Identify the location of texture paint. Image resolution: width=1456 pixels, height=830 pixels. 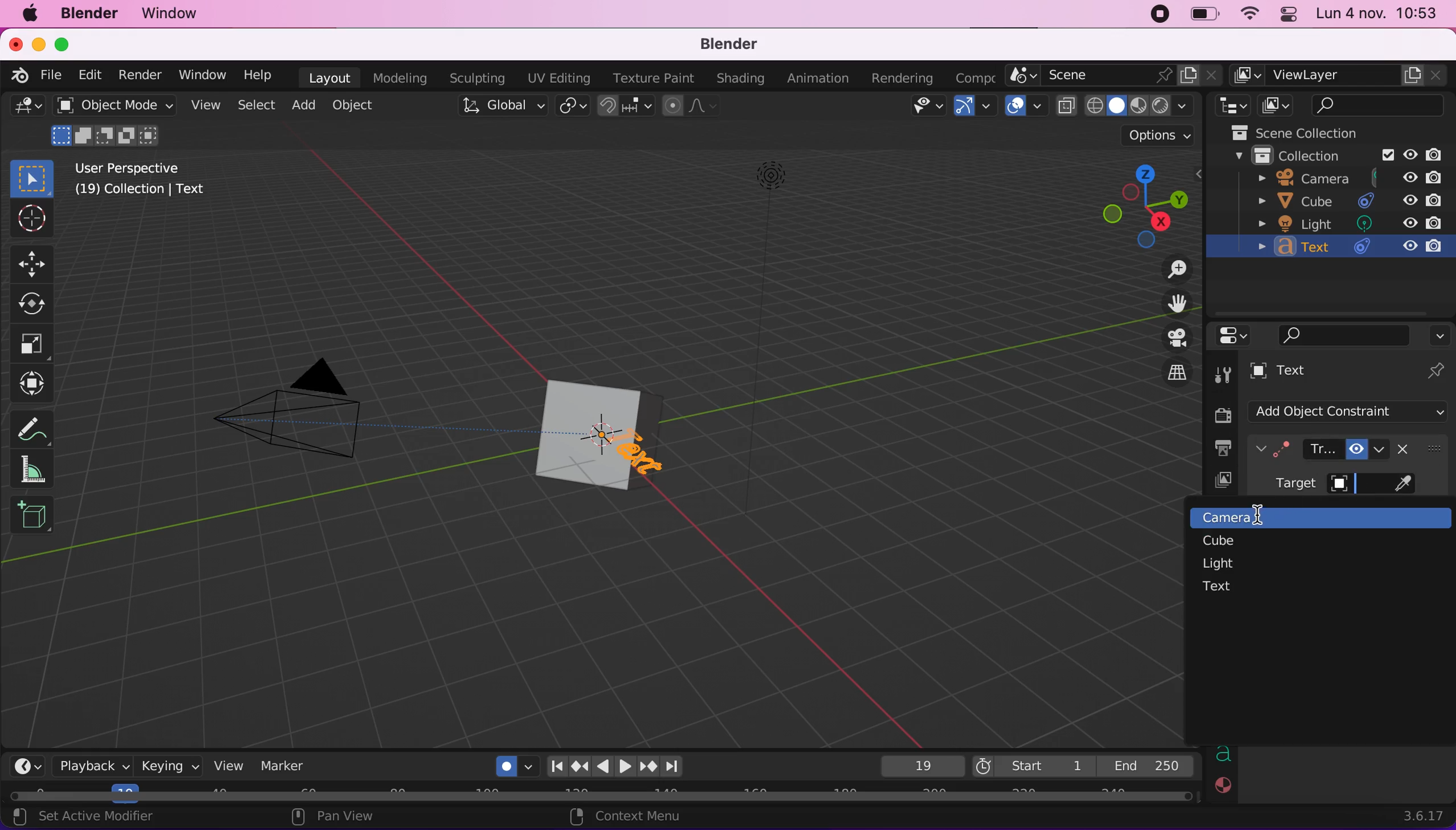
(656, 78).